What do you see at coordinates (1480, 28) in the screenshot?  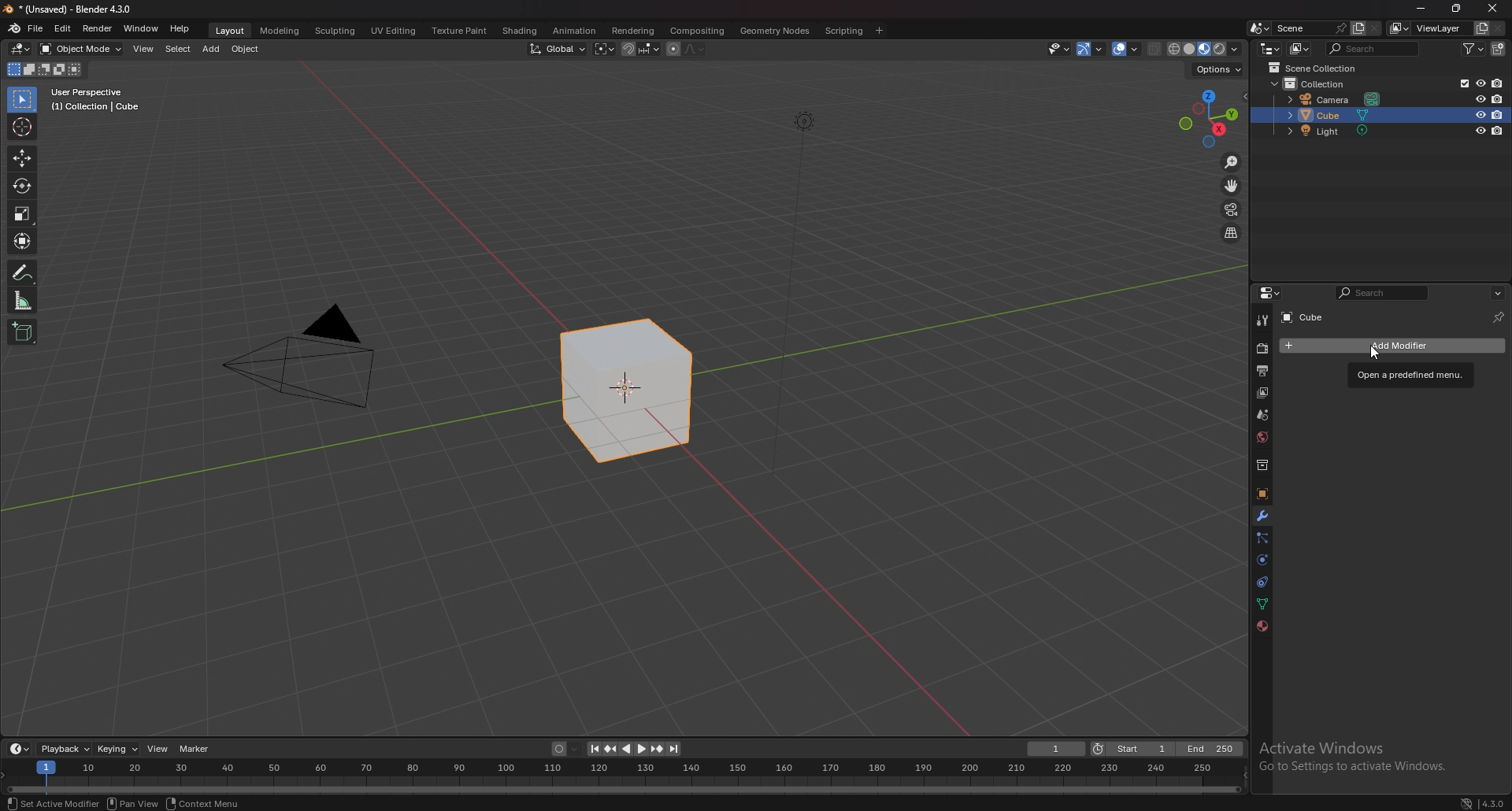 I see `add view layer` at bounding box center [1480, 28].